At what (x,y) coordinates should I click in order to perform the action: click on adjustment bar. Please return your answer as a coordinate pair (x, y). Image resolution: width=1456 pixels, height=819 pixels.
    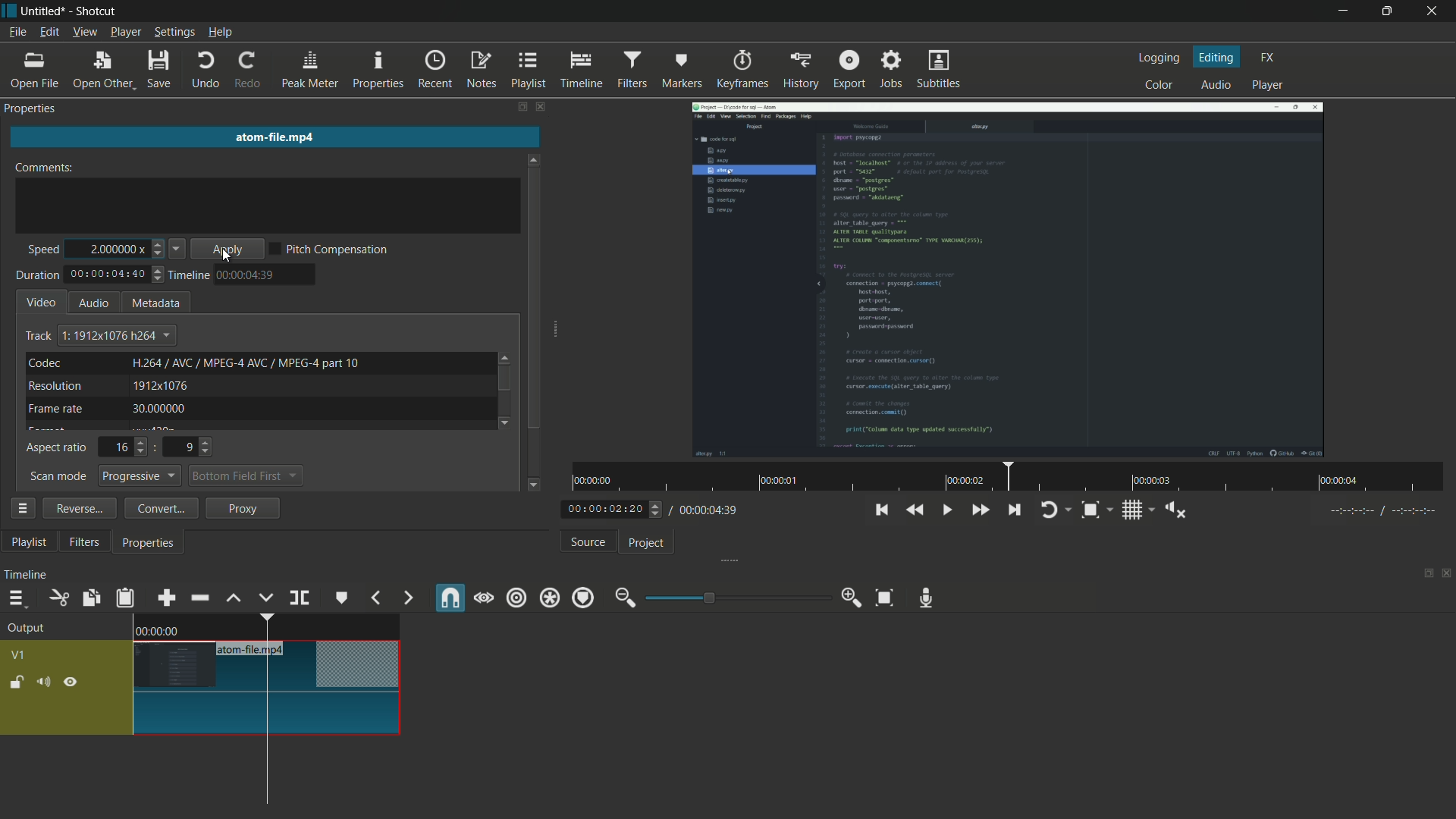
    Looking at the image, I should click on (736, 596).